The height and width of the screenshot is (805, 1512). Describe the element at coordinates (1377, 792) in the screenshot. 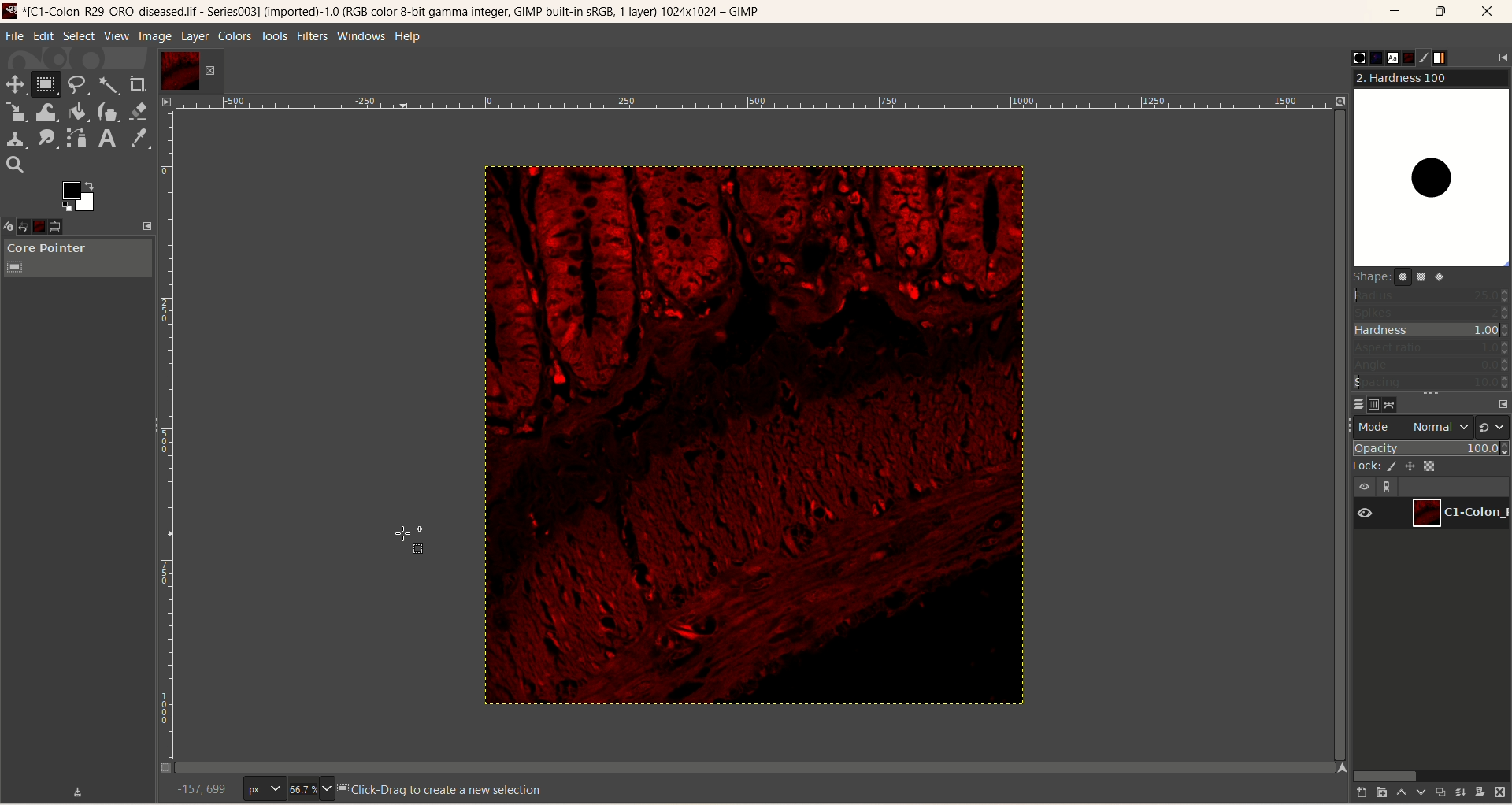

I see `create a new layer` at that location.